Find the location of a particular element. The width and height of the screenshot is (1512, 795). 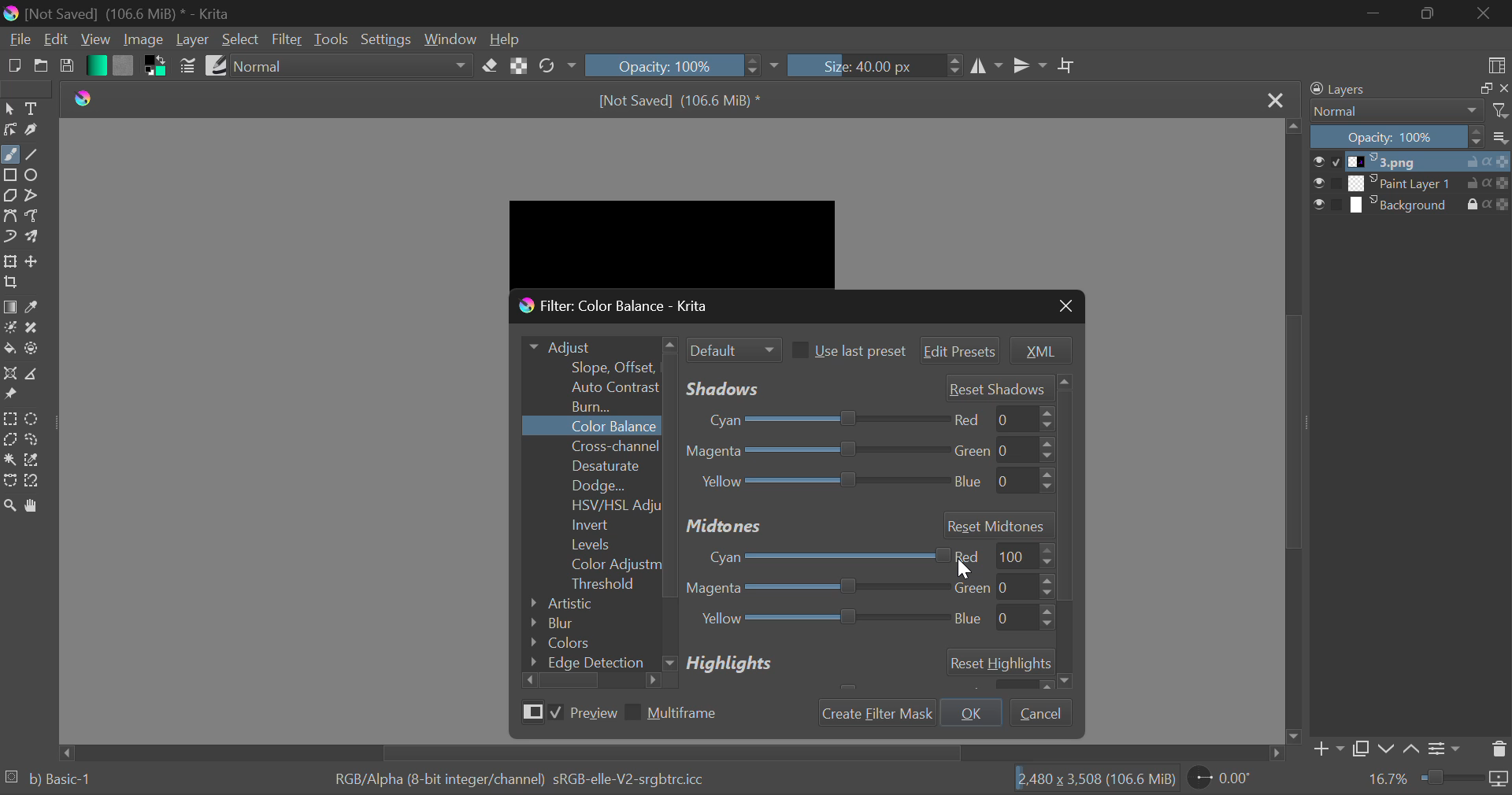

Restore Down is located at coordinates (1375, 13).